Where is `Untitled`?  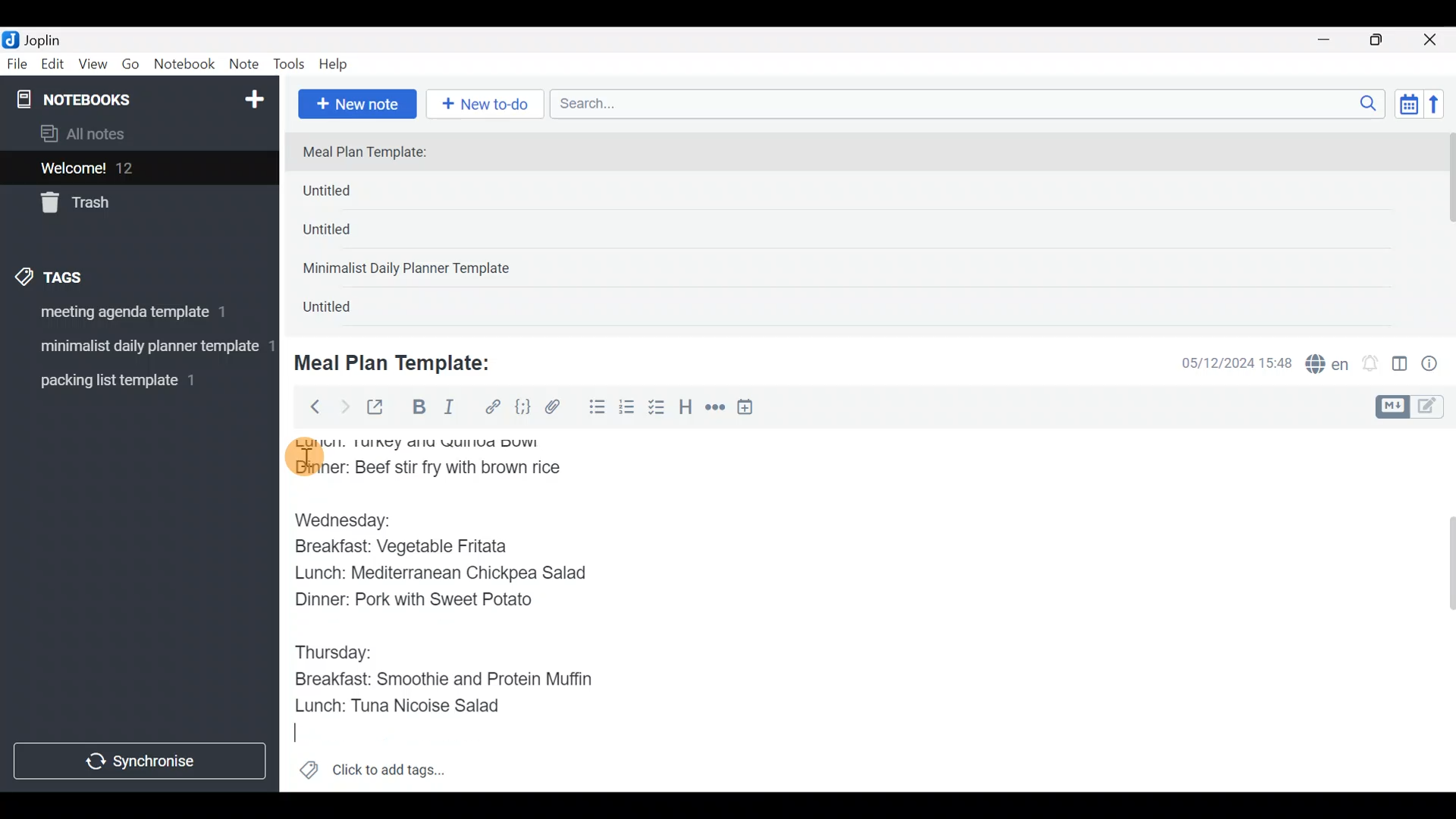 Untitled is located at coordinates (344, 310).